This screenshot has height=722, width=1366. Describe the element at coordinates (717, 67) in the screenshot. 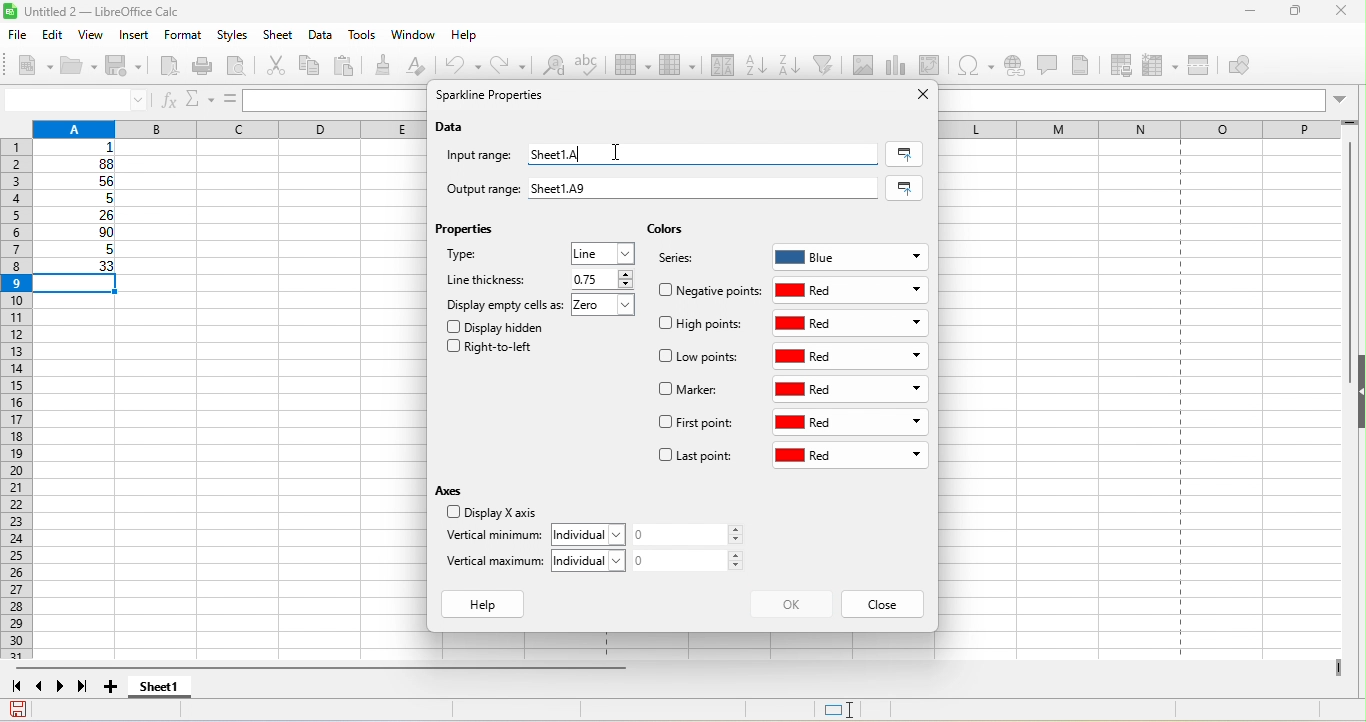

I see `sort` at that location.